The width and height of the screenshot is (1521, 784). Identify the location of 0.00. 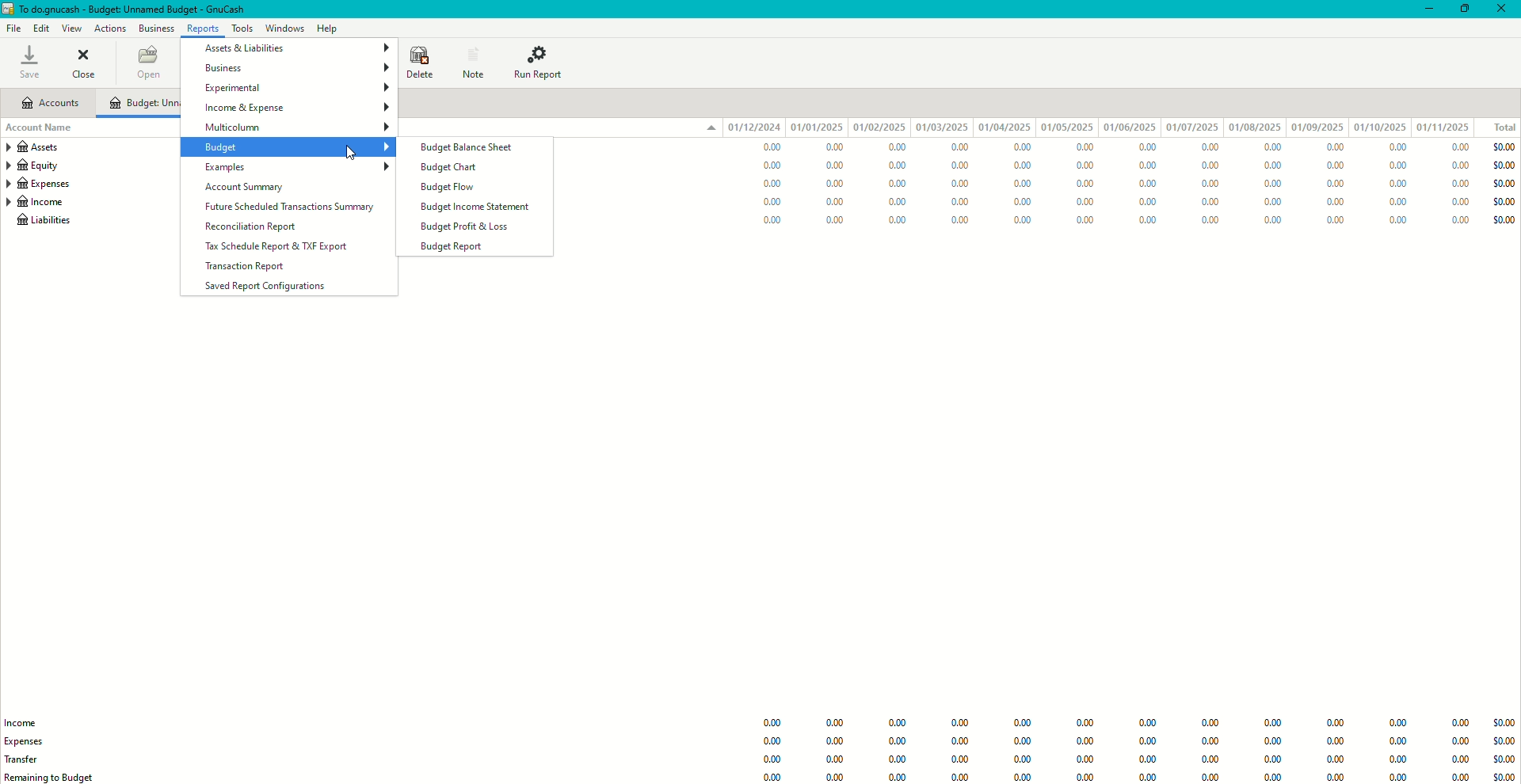
(1023, 203).